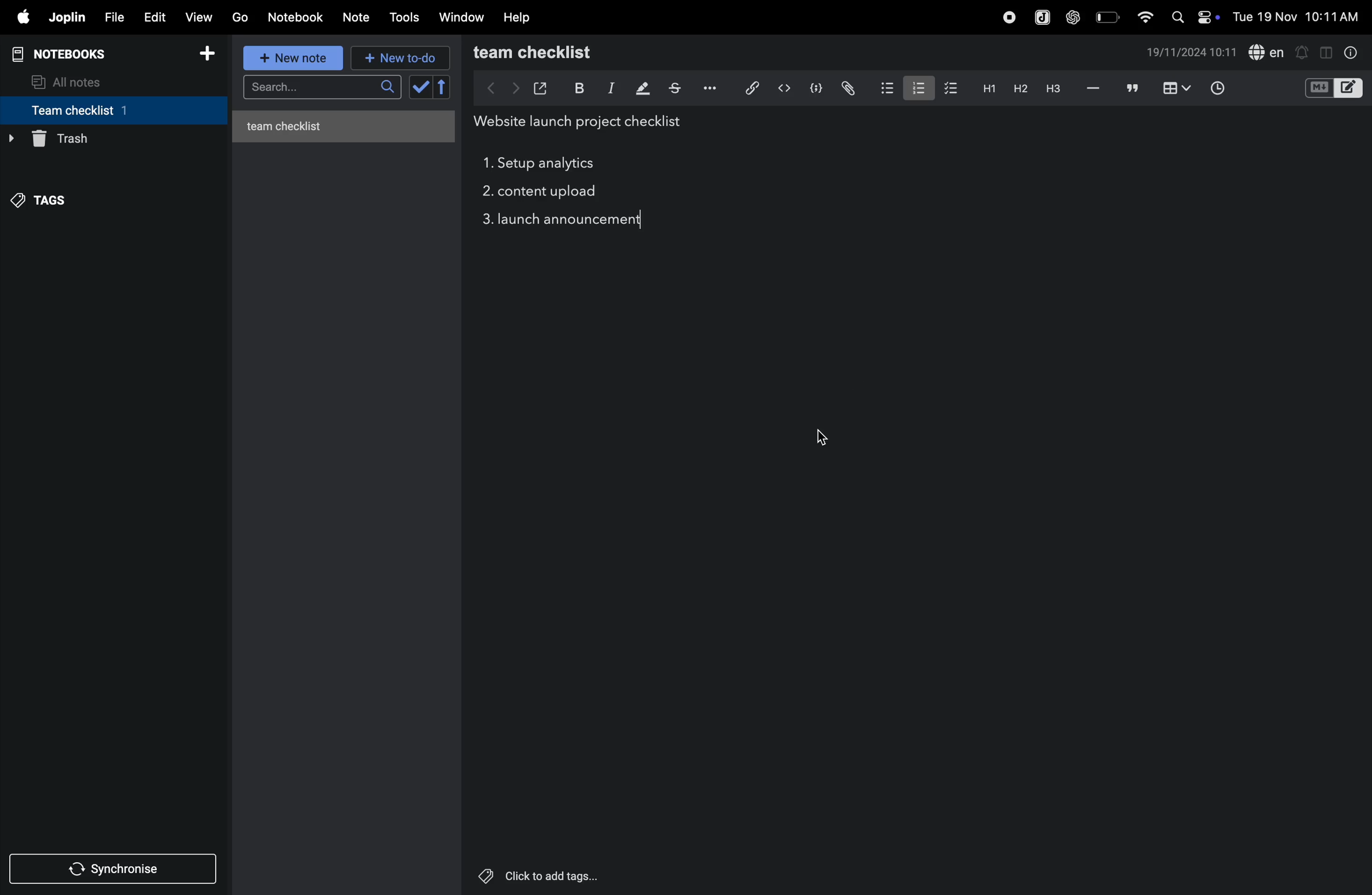 The width and height of the screenshot is (1372, 895). What do you see at coordinates (406, 17) in the screenshot?
I see `tools` at bounding box center [406, 17].